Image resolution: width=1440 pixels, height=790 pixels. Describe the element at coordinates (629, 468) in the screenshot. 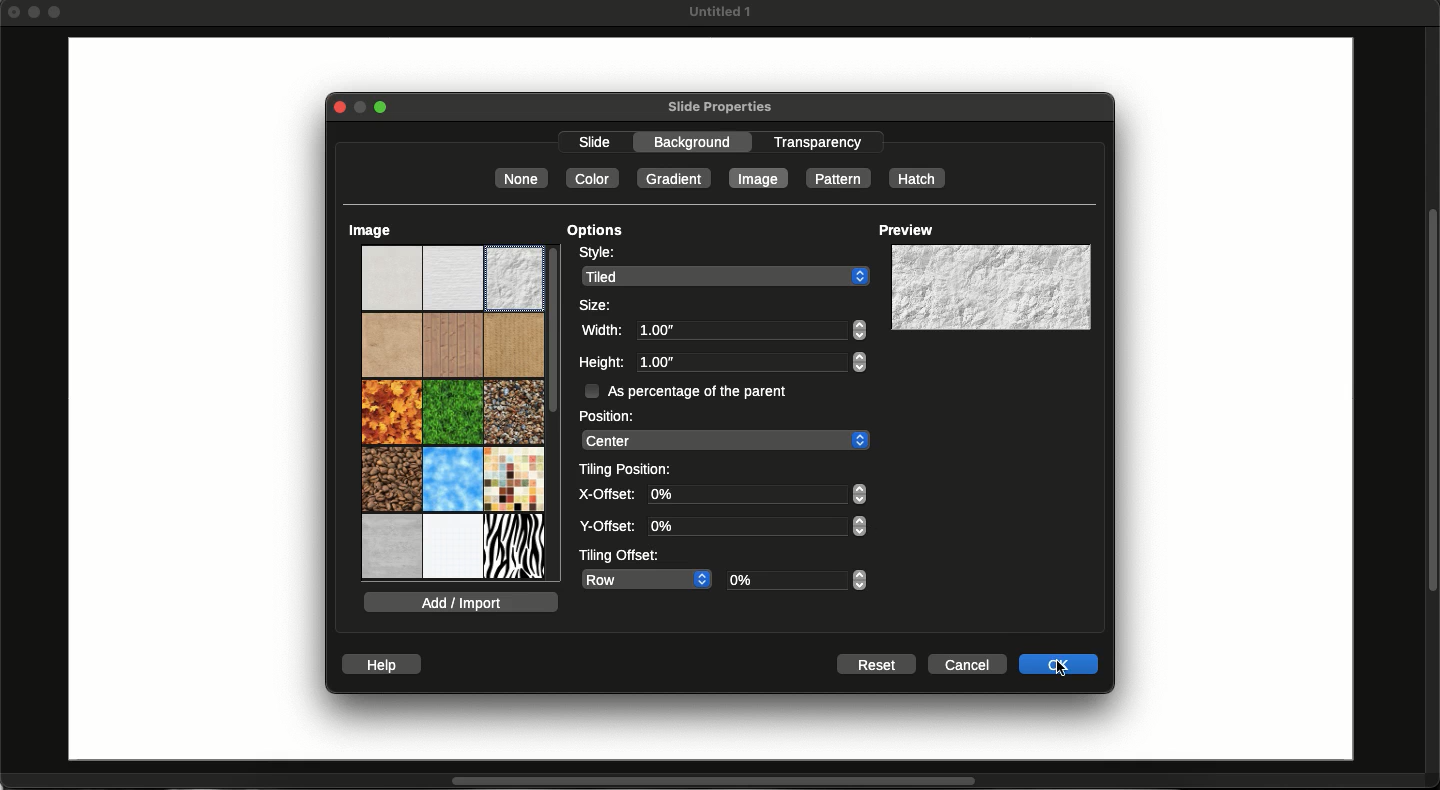

I see `Tiling position:` at that location.